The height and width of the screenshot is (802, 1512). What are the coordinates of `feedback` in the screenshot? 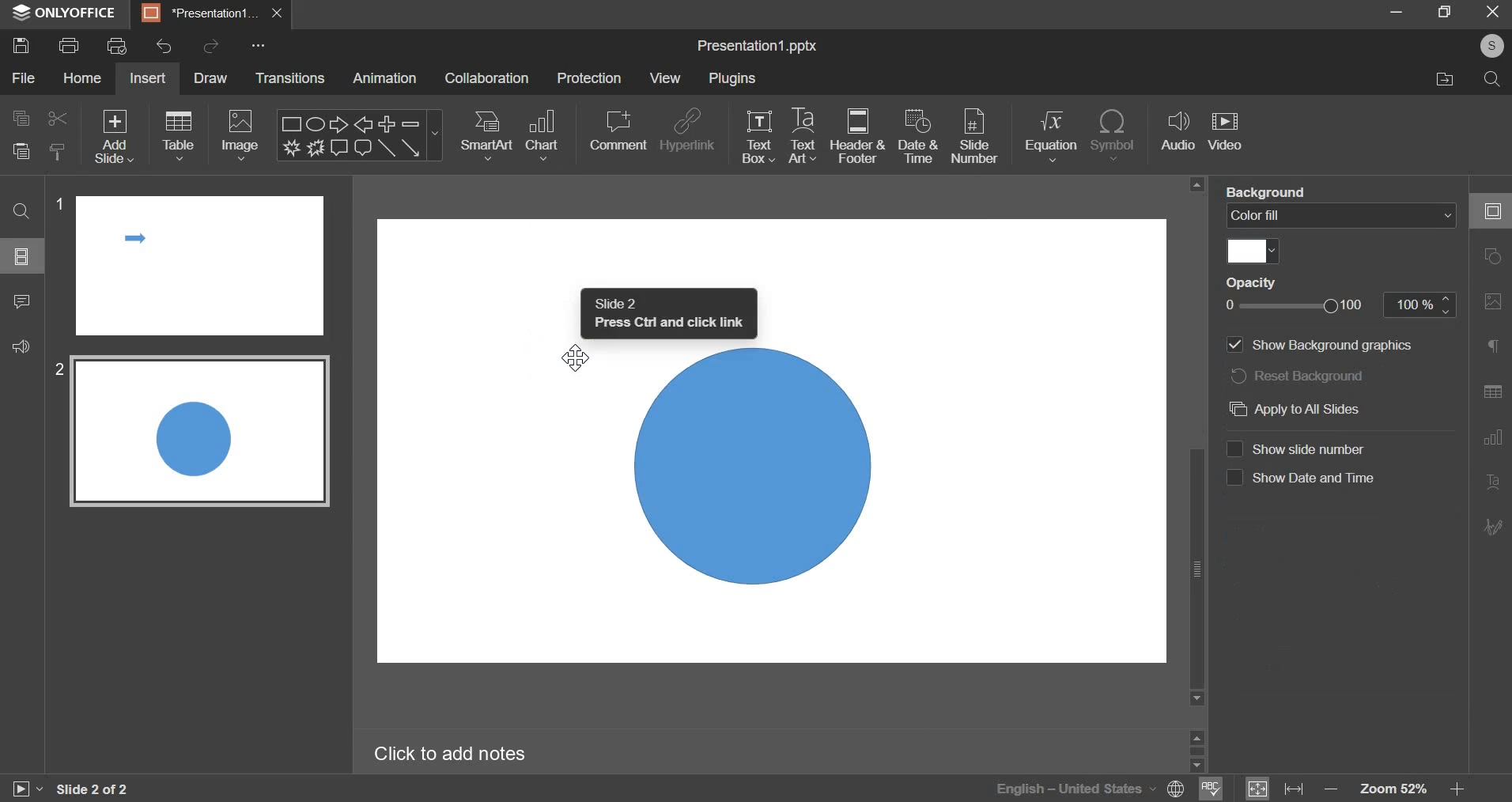 It's located at (20, 346).